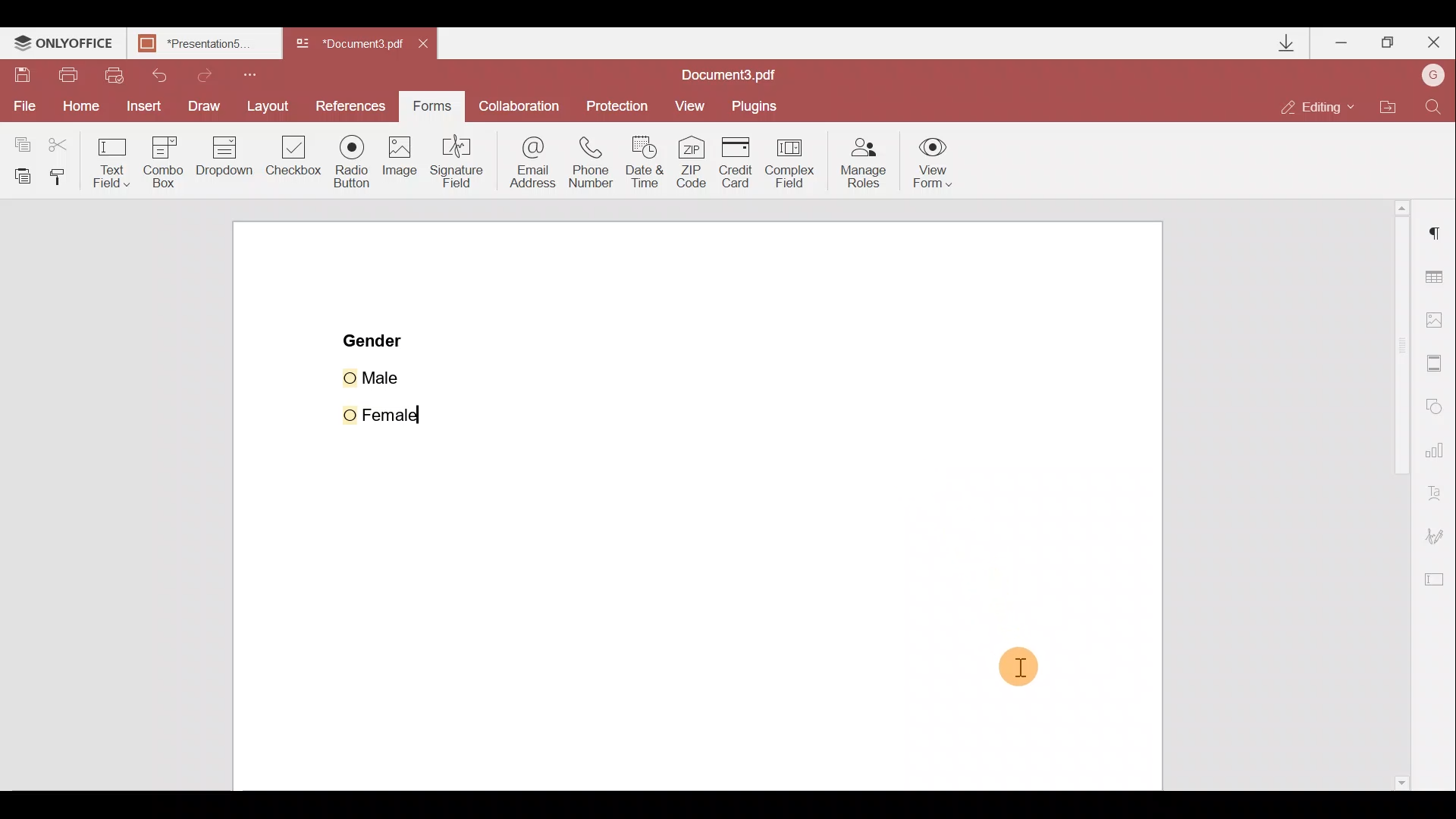 The width and height of the screenshot is (1456, 819). I want to click on Cursor, so click(356, 158).